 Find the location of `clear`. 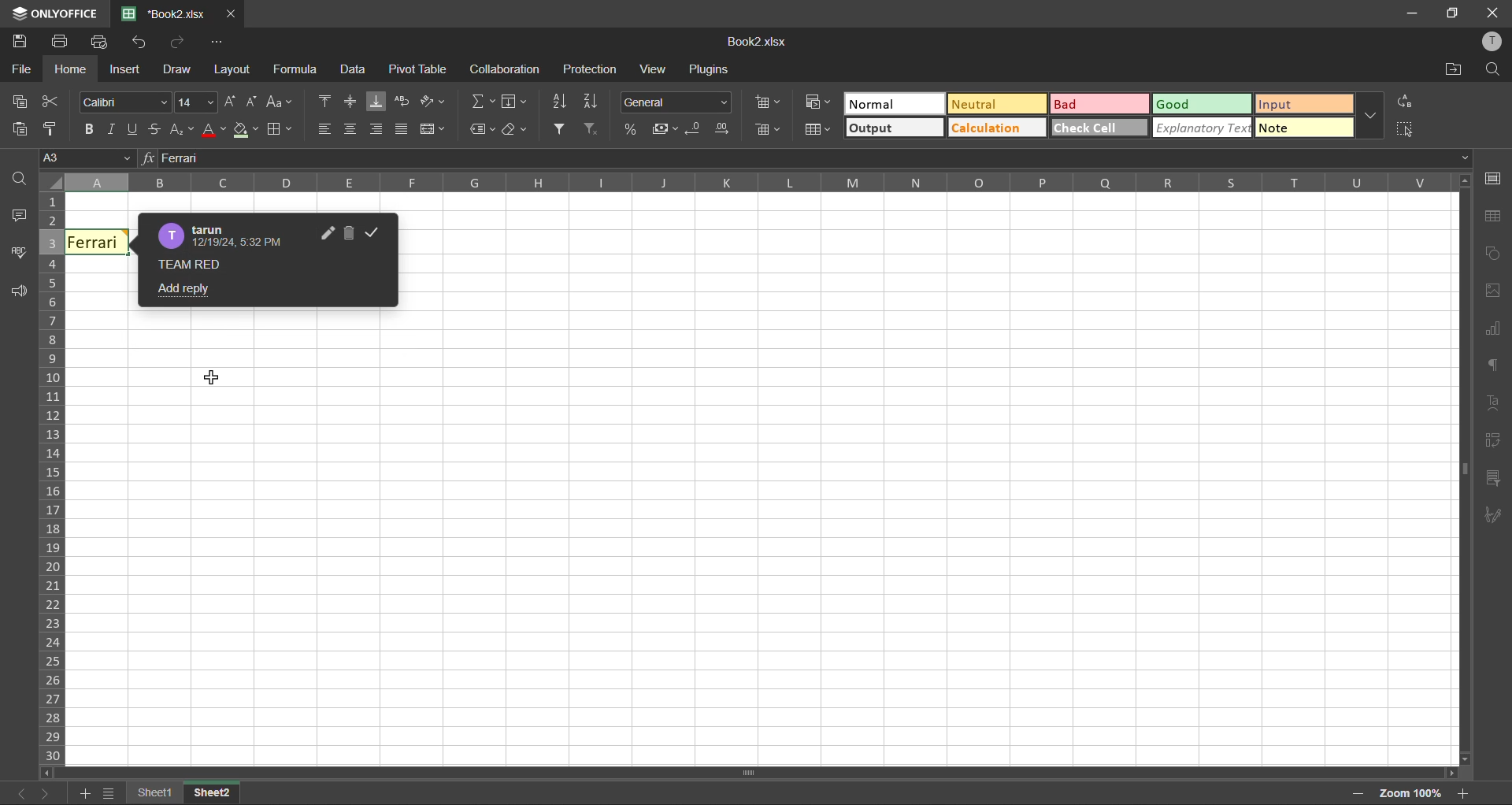

clear is located at coordinates (516, 129).